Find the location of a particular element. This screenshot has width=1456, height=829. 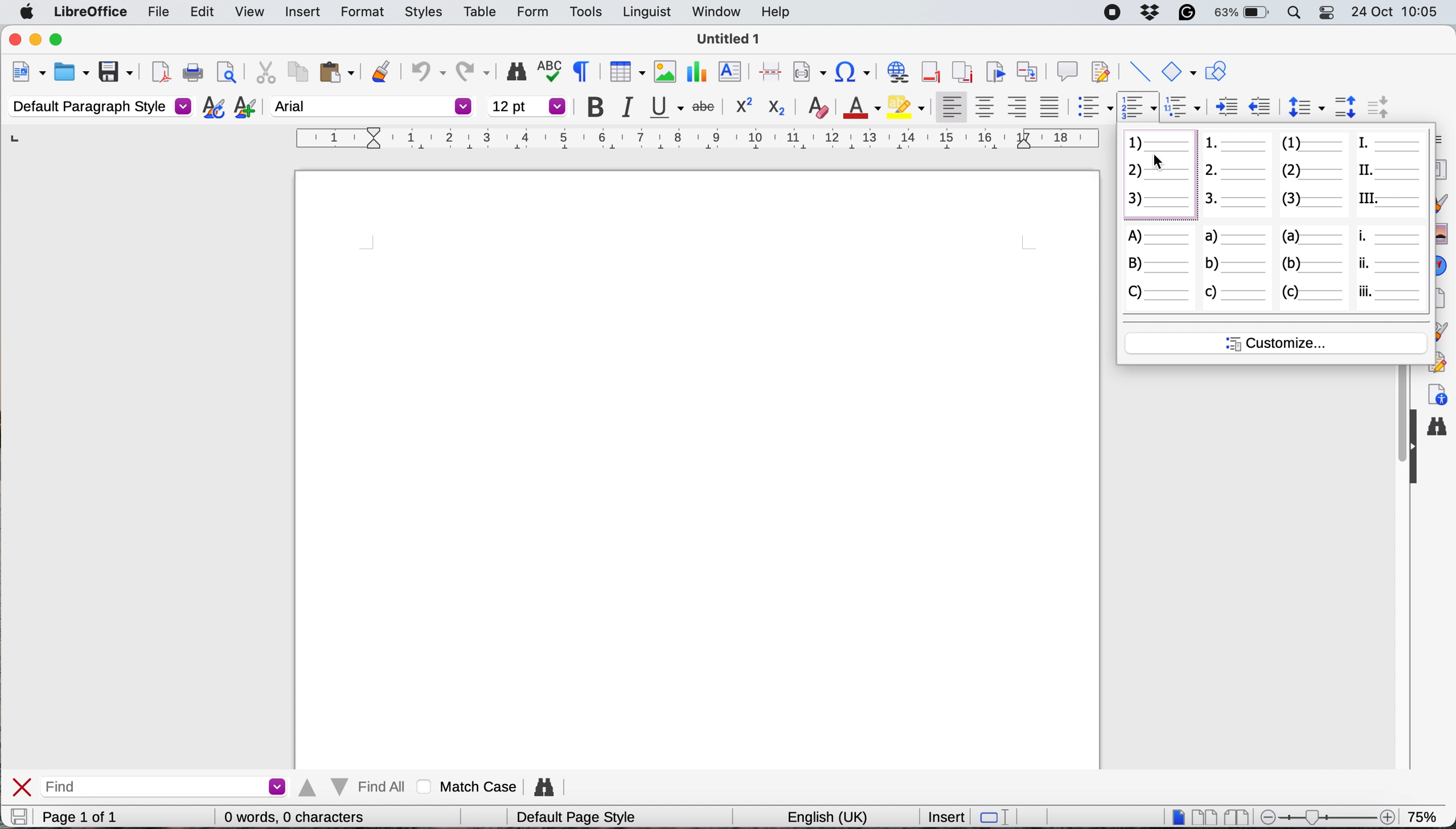

insert line is located at coordinates (1138, 72).